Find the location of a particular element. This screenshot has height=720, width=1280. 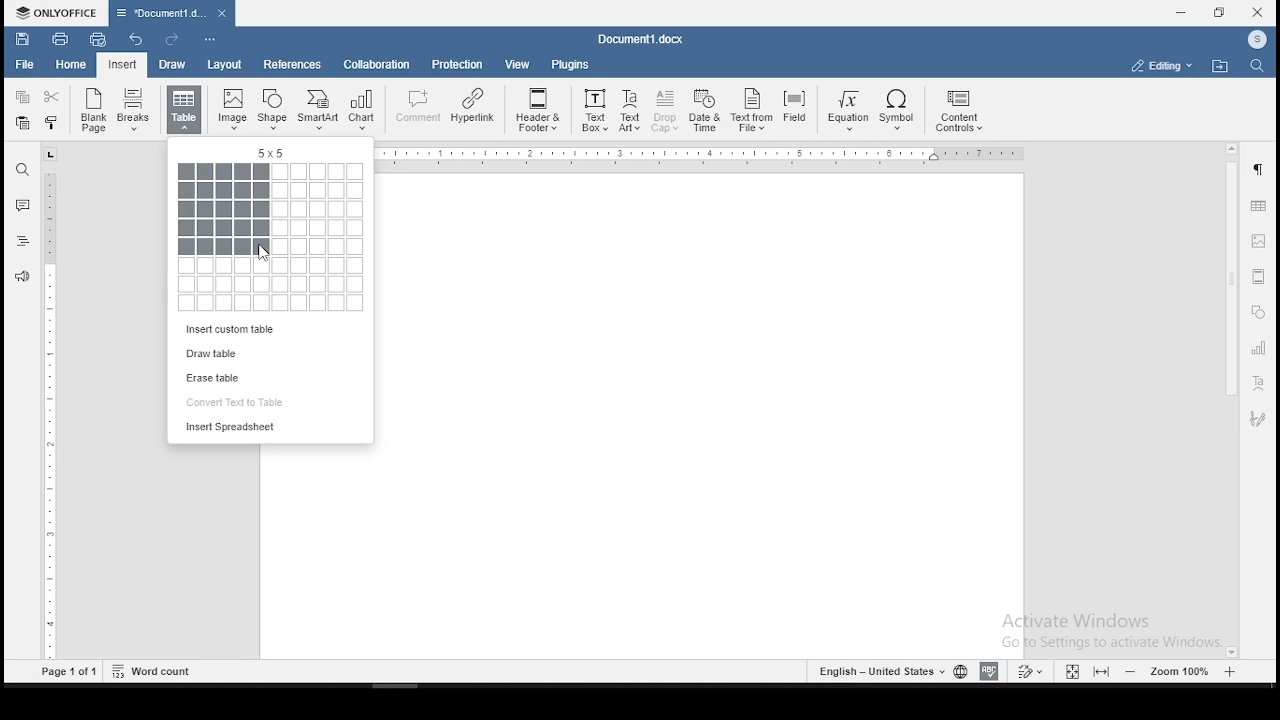

fit to window is located at coordinates (1071, 671).